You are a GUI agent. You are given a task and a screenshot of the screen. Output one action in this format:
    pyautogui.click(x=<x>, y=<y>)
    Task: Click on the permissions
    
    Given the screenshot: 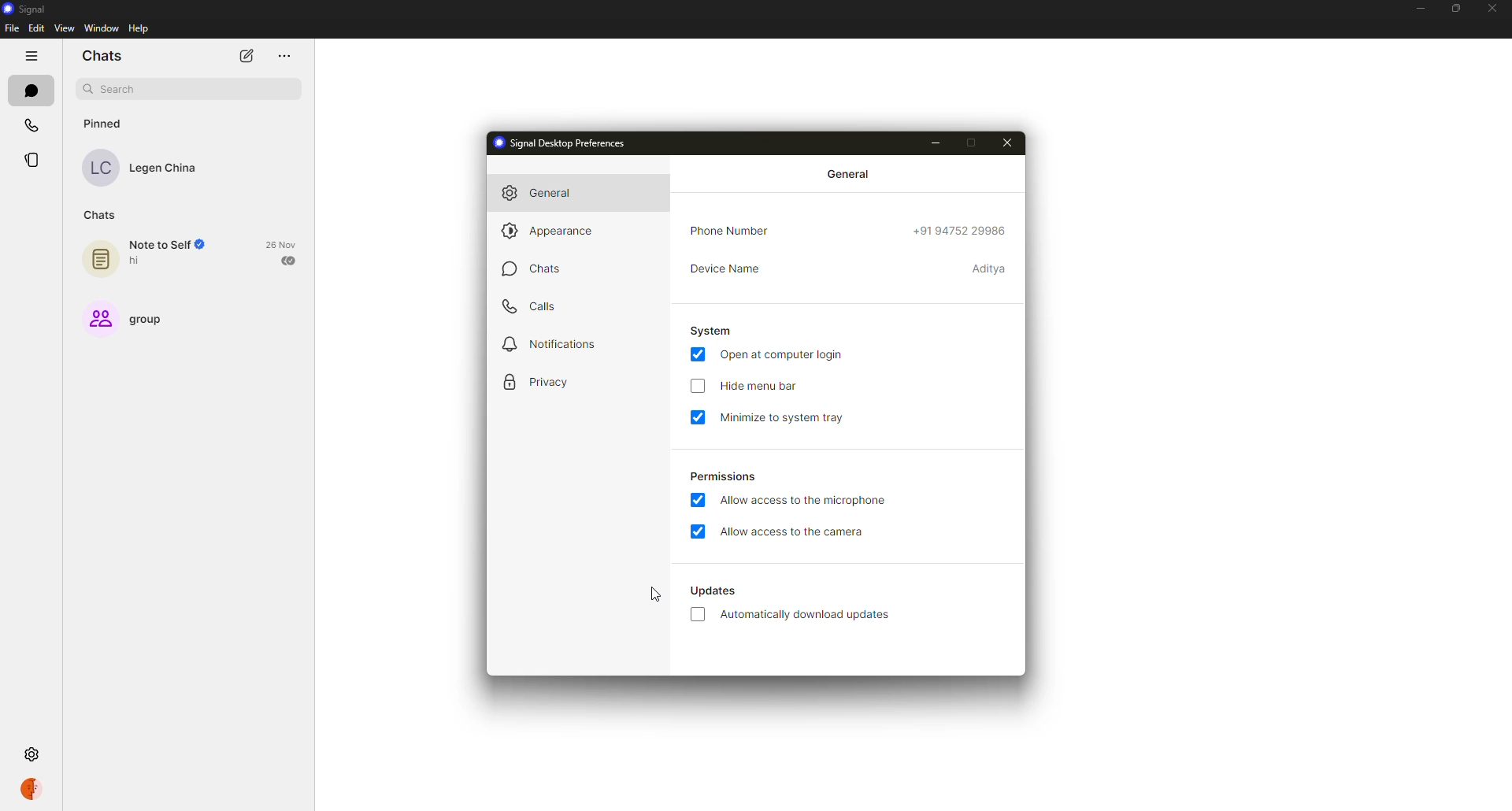 What is the action you would take?
    pyautogui.click(x=721, y=478)
    